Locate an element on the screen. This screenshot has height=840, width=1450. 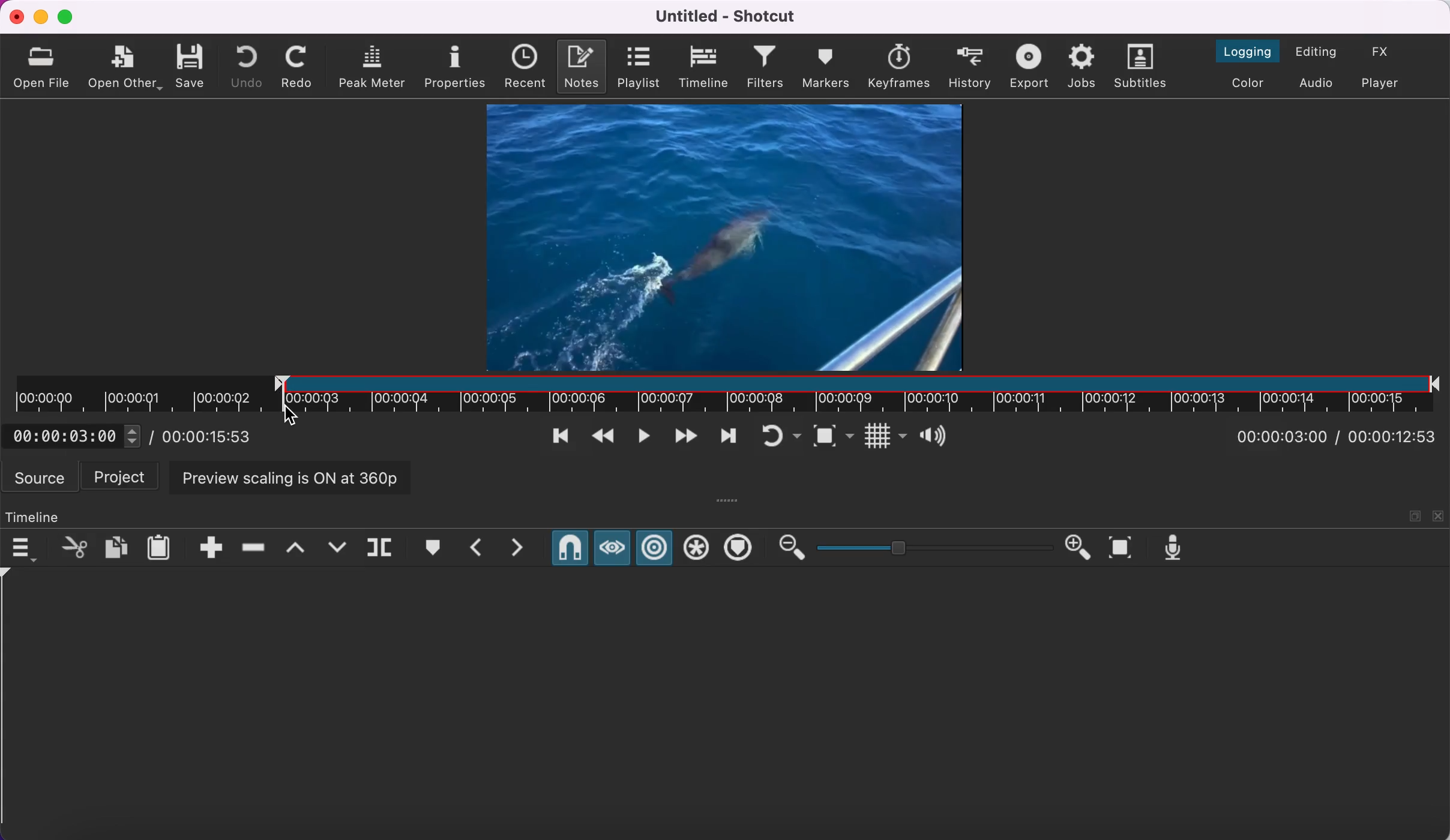
markers is located at coordinates (826, 68).